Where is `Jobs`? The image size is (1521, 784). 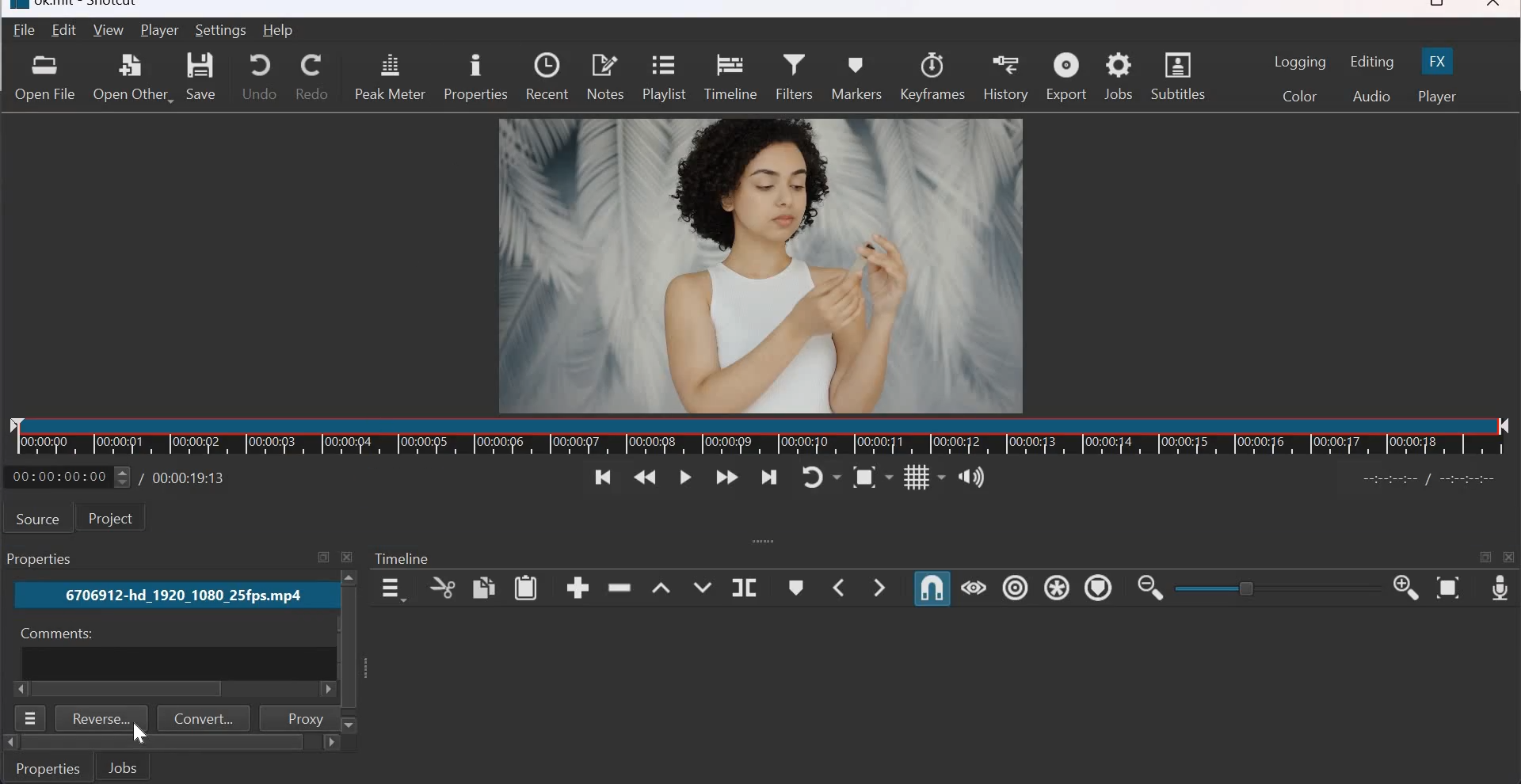
Jobs is located at coordinates (123, 767).